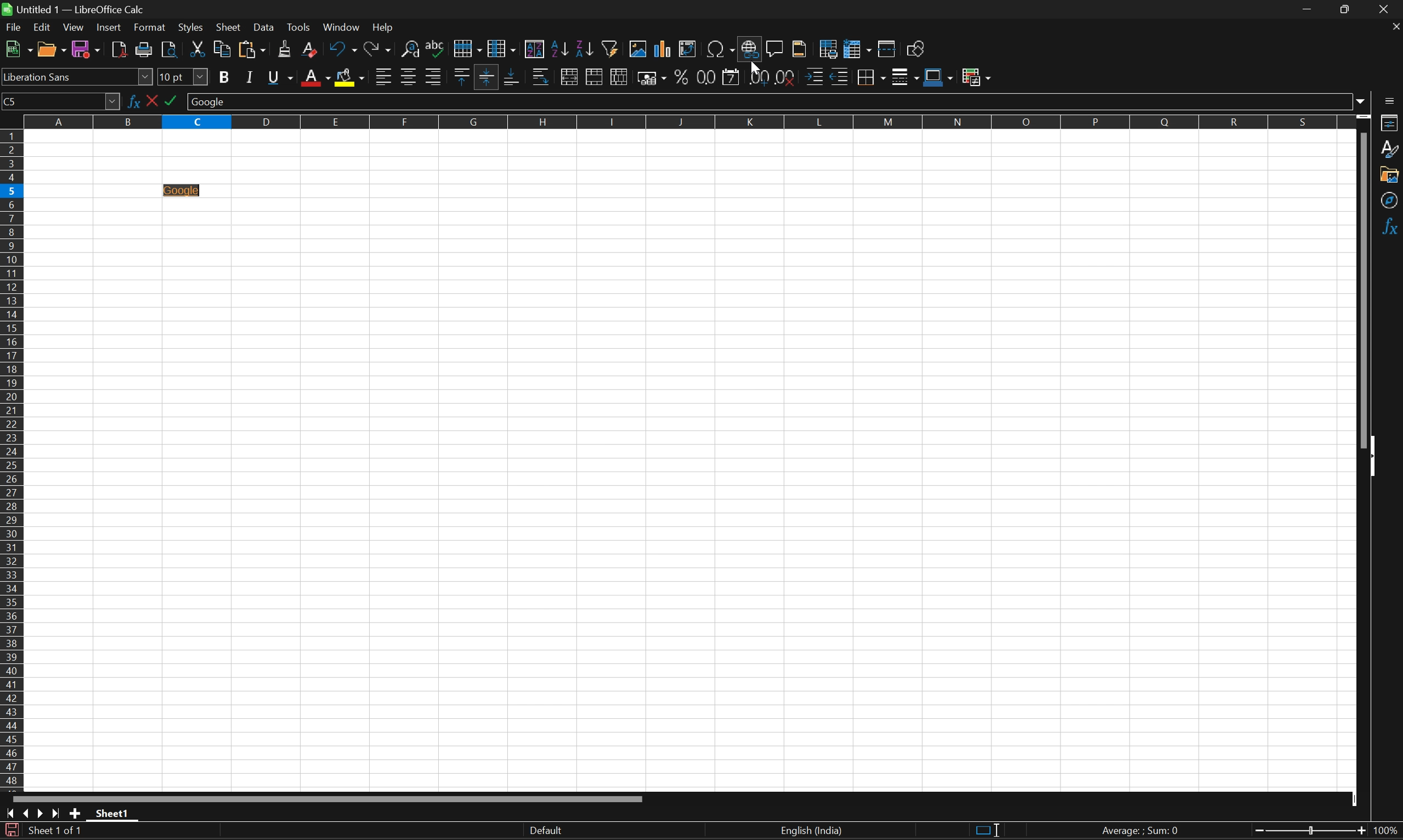  I want to click on Align center, so click(411, 78).